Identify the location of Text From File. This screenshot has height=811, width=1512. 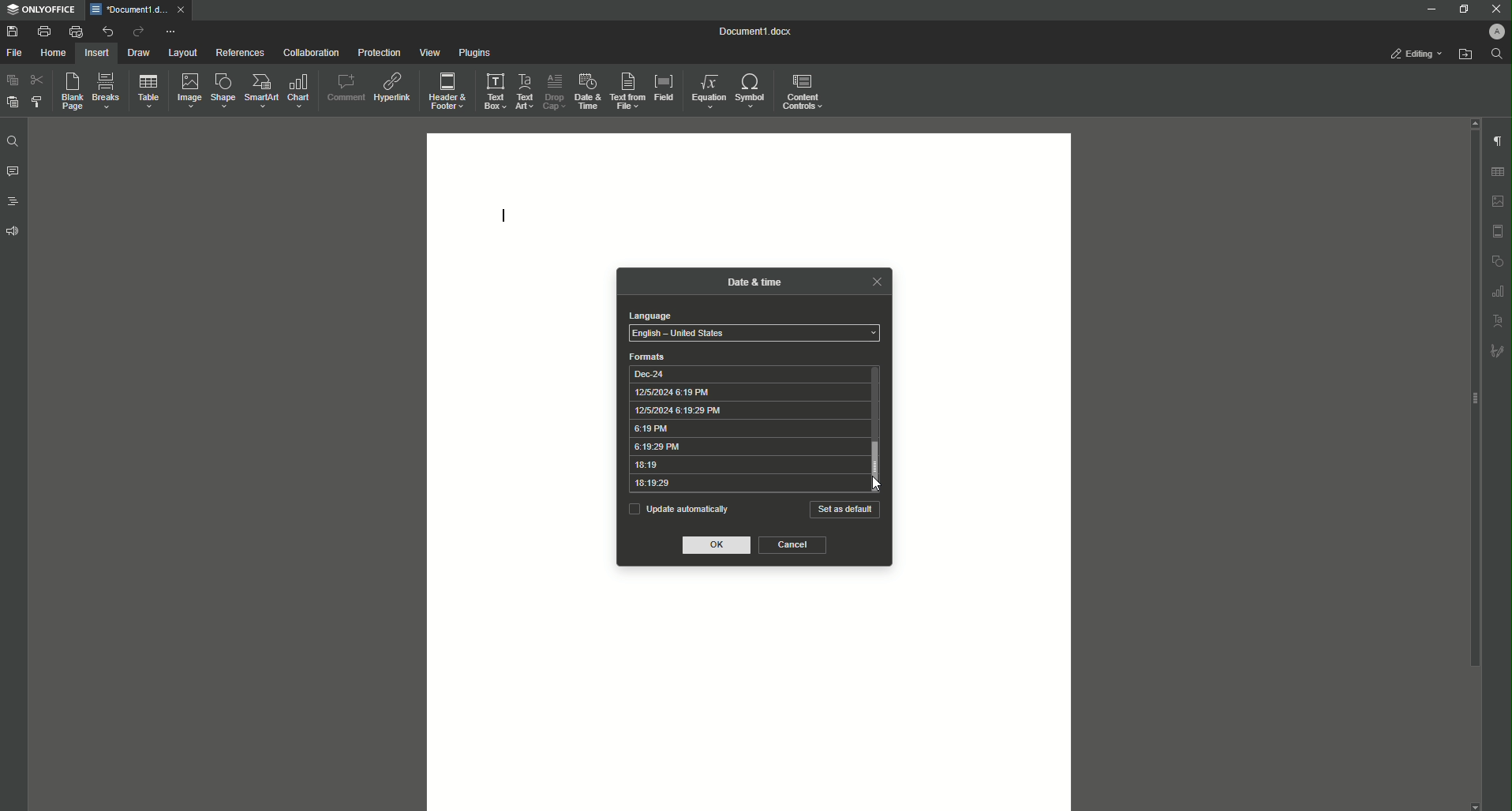
(628, 92).